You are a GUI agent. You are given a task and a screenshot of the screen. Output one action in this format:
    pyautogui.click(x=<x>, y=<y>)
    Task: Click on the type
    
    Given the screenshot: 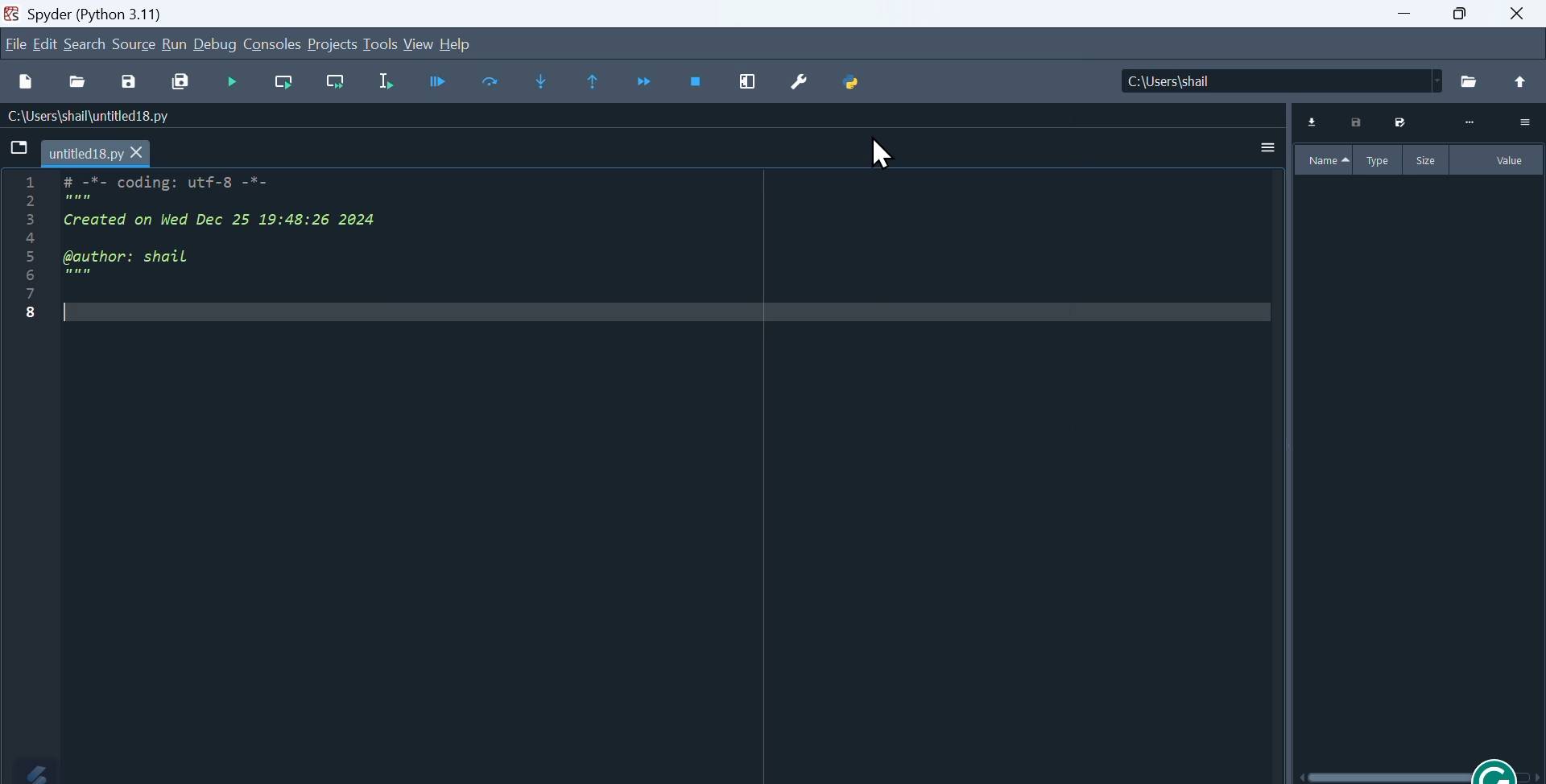 What is the action you would take?
    pyautogui.click(x=1375, y=160)
    